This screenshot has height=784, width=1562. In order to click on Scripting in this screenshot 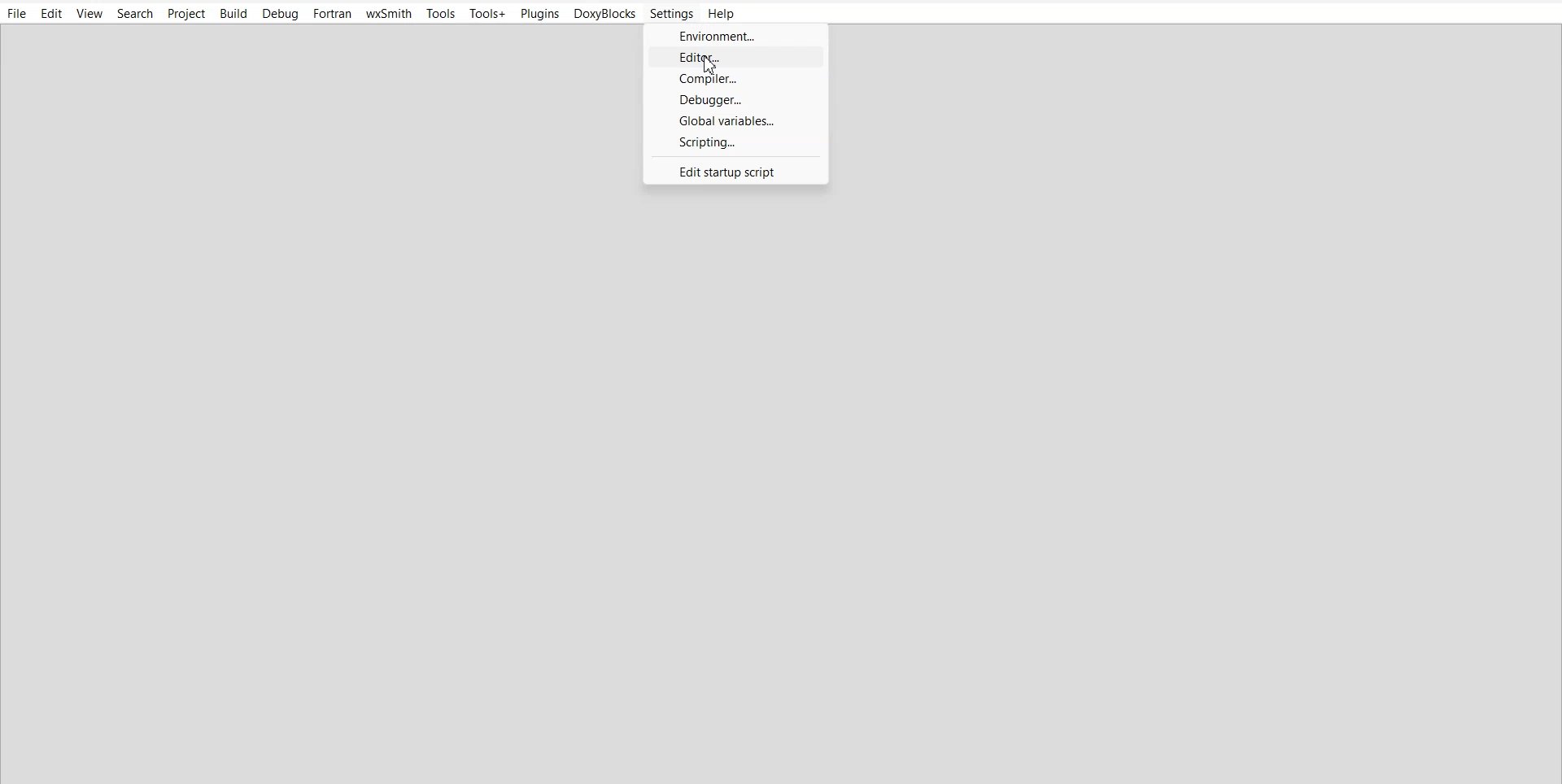, I will do `click(736, 142)`.